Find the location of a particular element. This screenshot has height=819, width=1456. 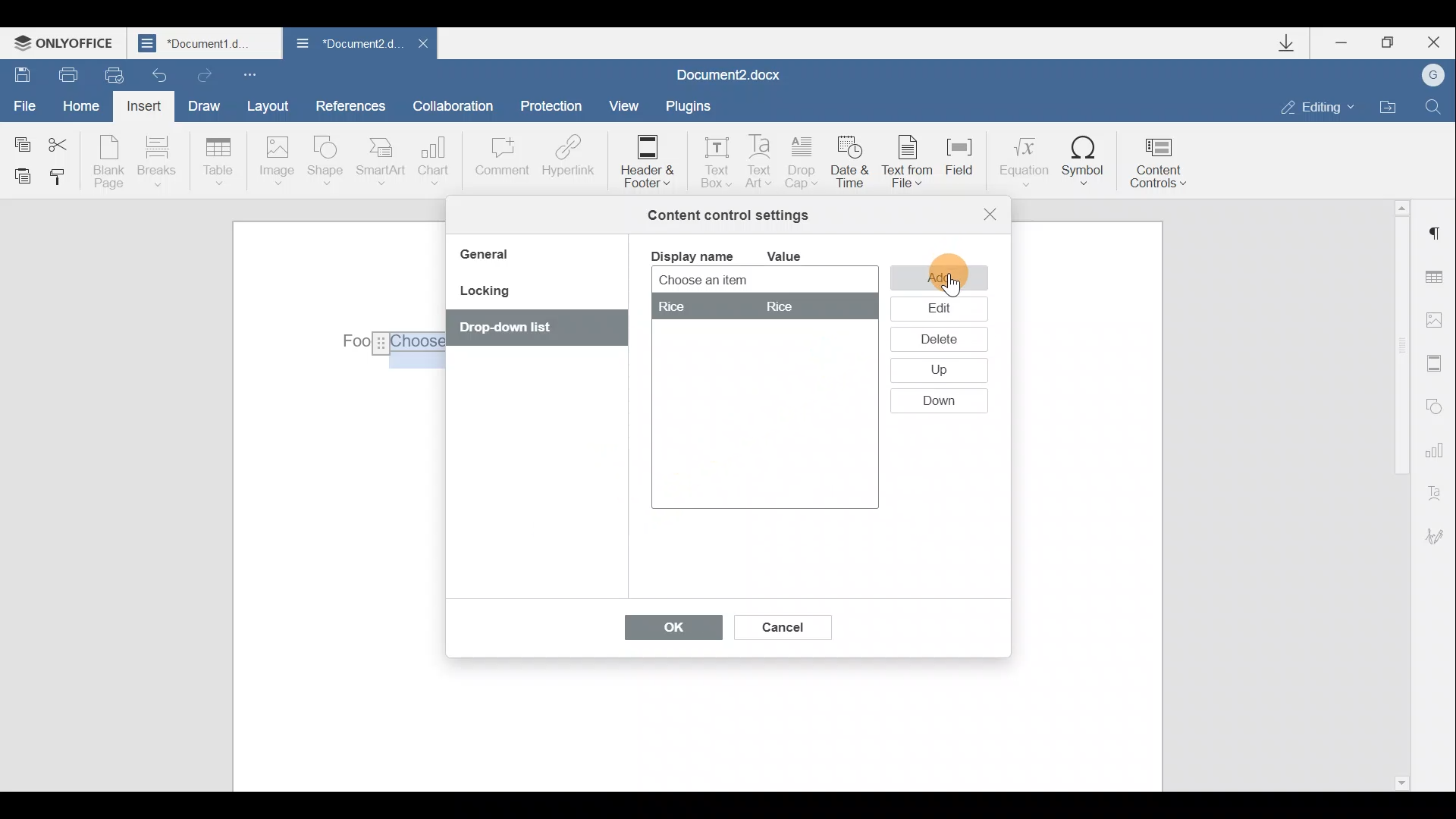

Image is located at coordinates (276, 162).